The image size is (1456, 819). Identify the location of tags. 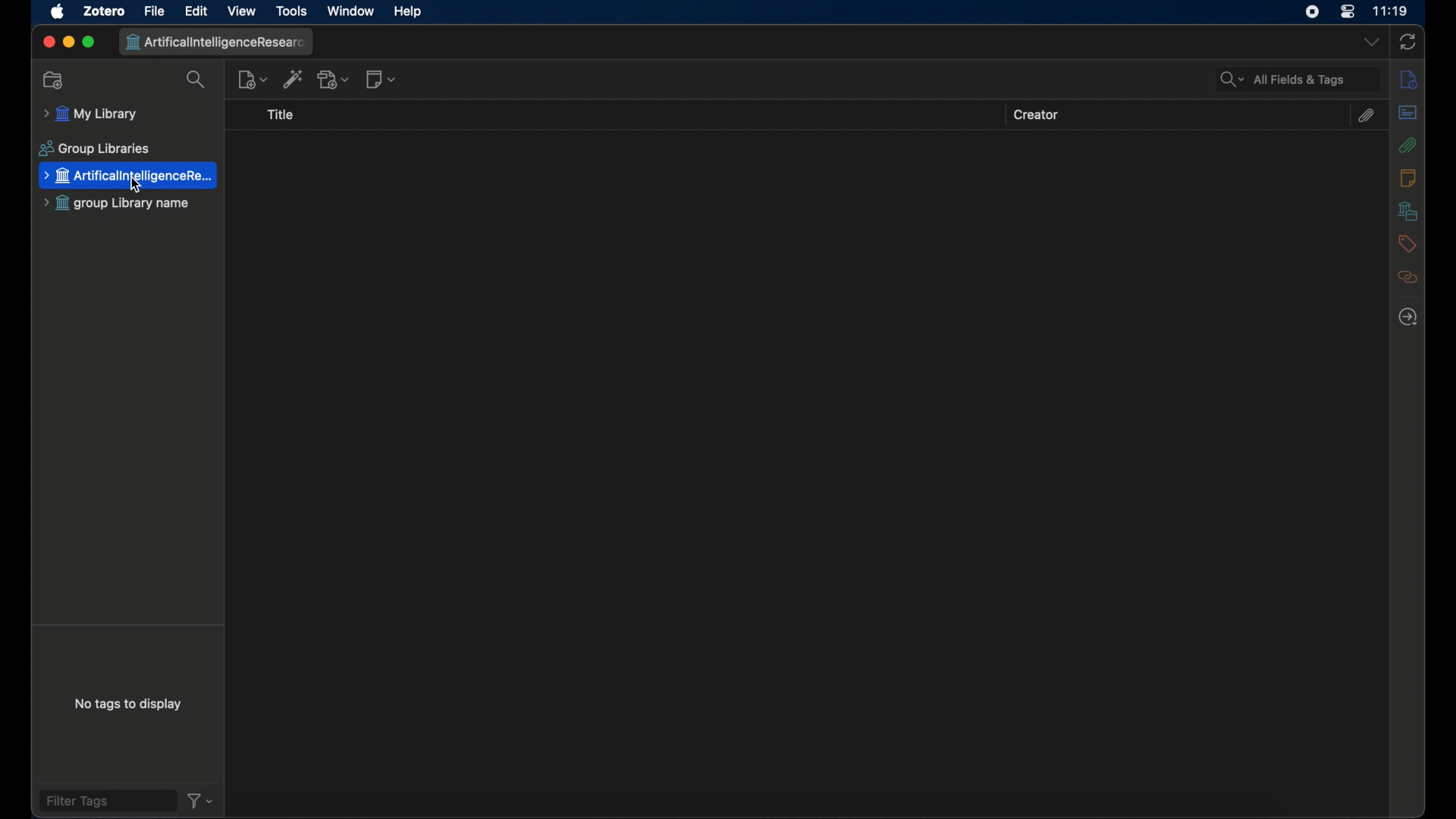
(1406, 243).